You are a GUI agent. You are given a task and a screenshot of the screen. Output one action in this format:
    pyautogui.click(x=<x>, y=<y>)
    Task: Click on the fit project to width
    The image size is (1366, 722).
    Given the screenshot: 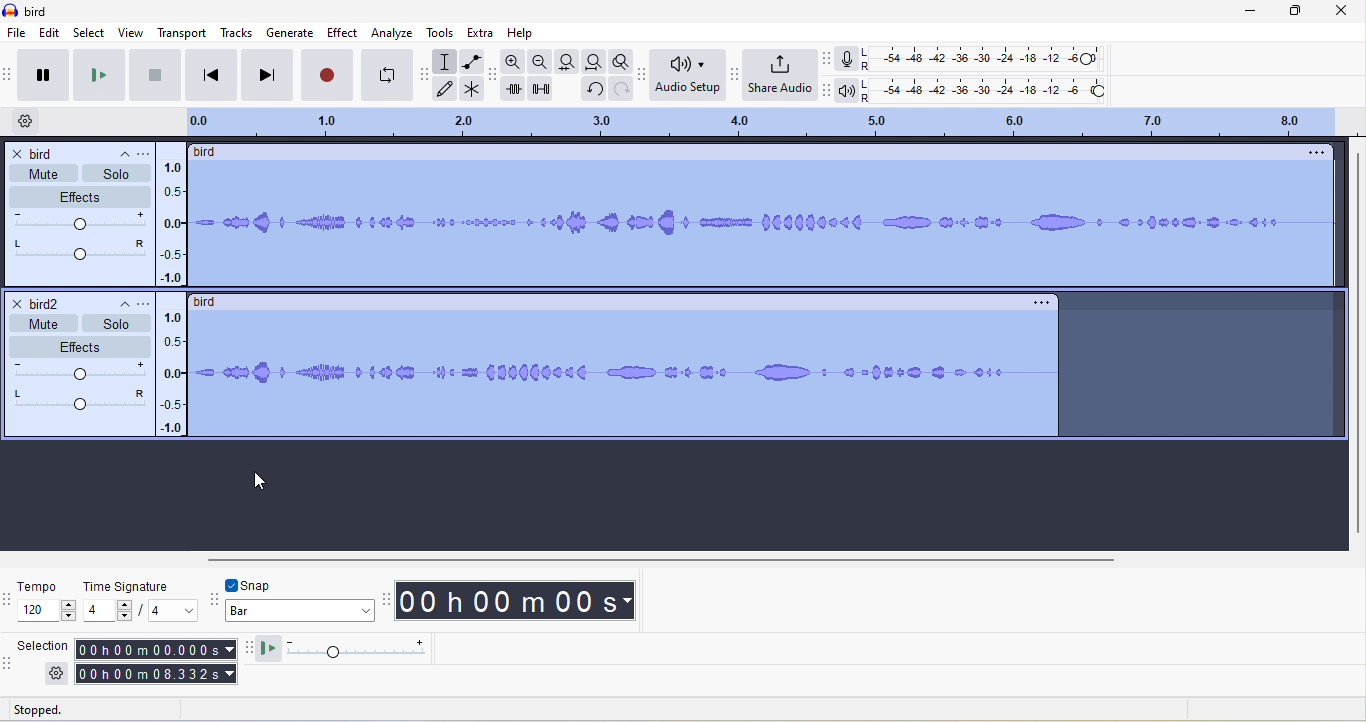 What is the action you would take?
    pyautogui.click(x=593, y=61)
    